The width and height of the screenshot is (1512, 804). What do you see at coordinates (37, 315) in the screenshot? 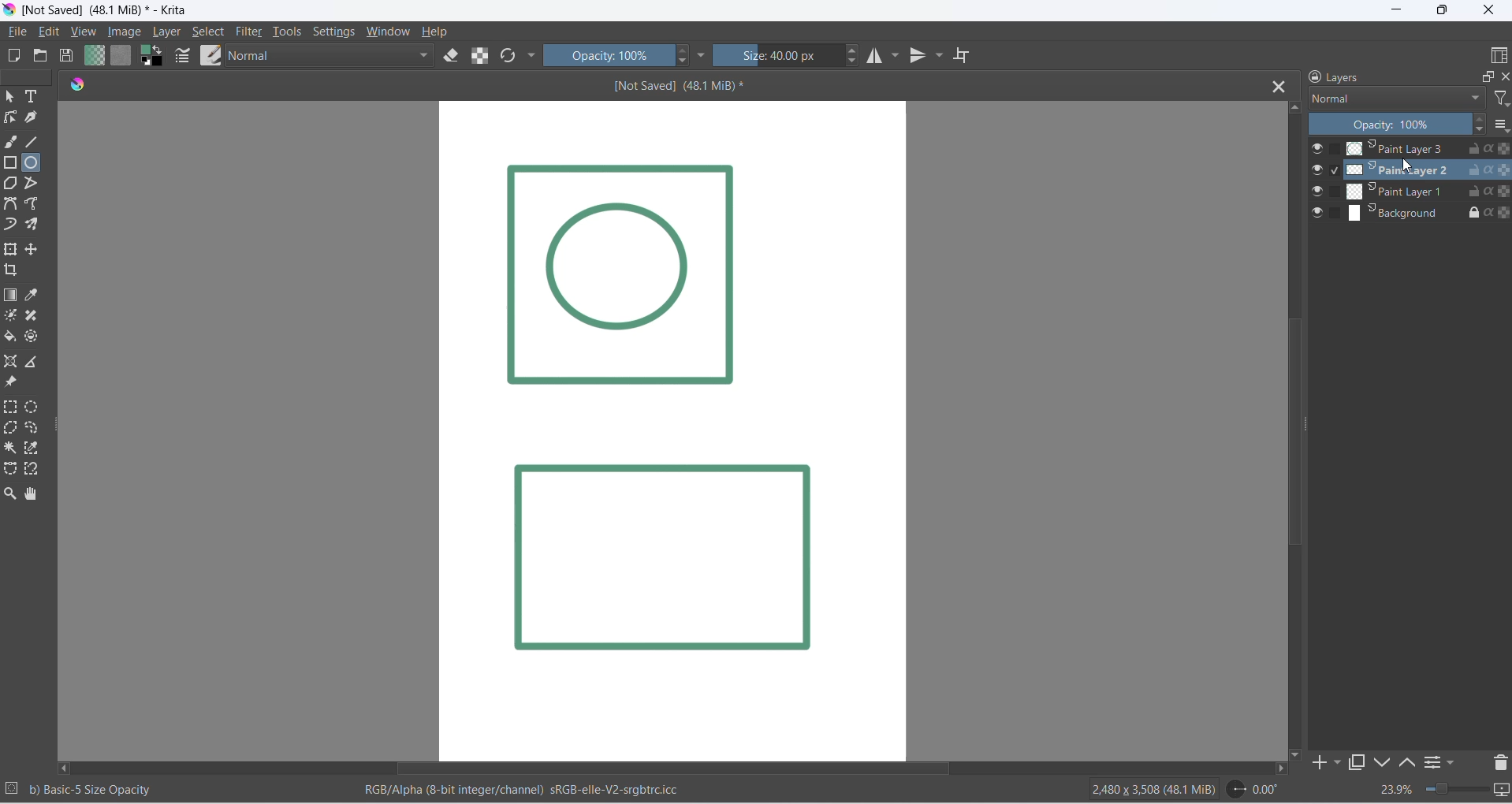
I see `patch tool` at bounding box center [37, 315].